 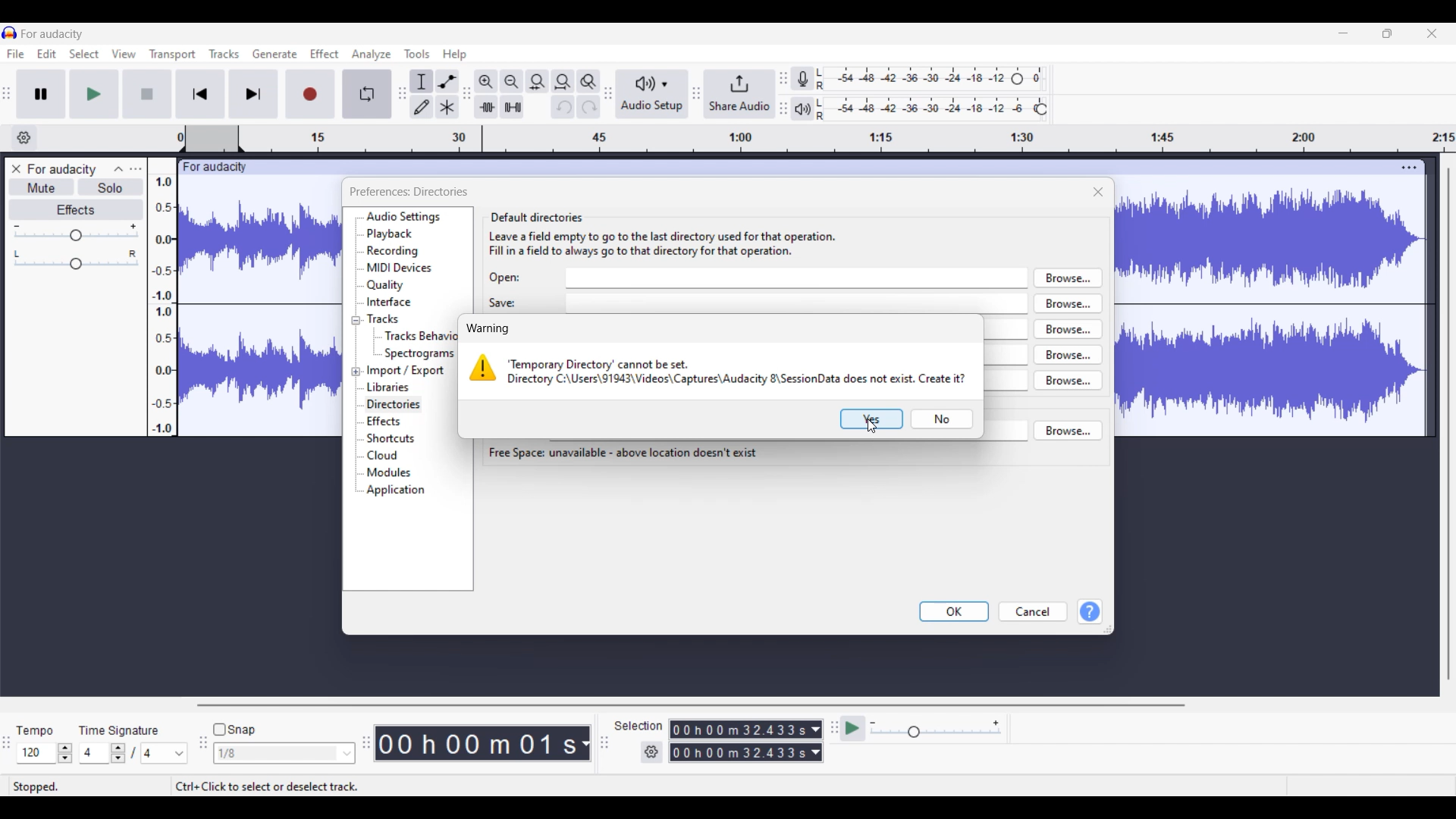 I want to click on Generate menu, so click(x=275, y=54).